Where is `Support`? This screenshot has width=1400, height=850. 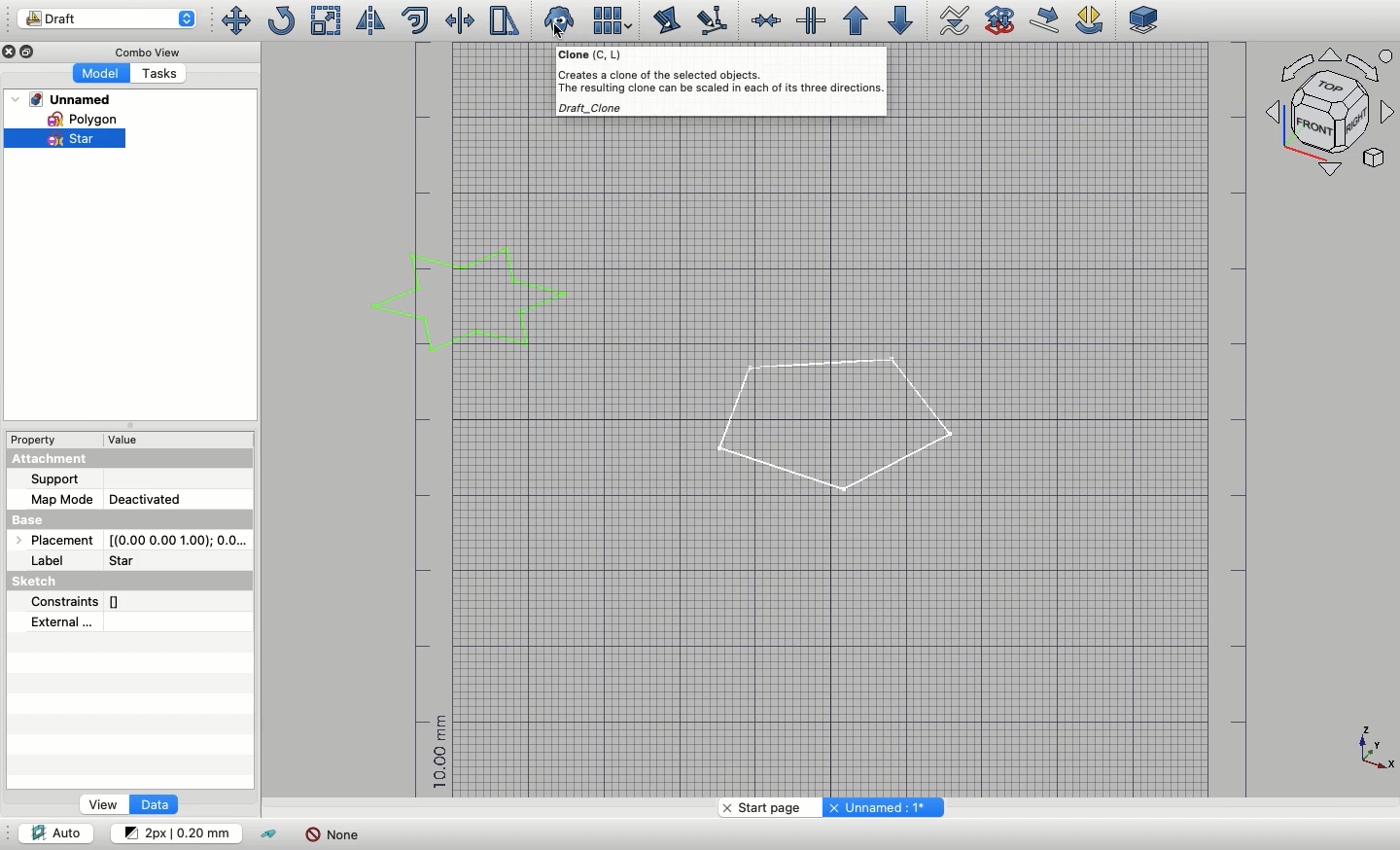
Support is located at coordinates (55, 479).